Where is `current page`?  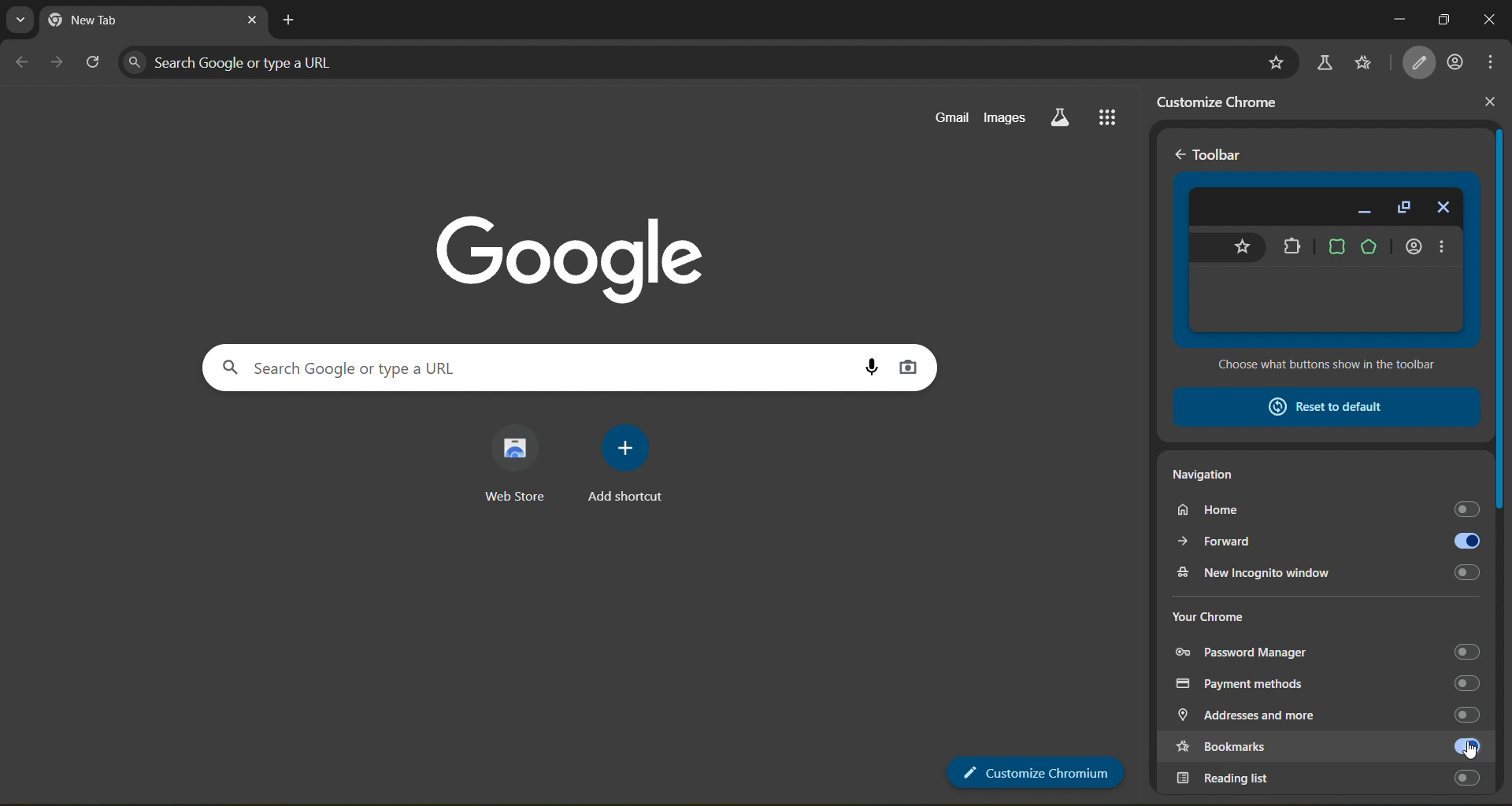 current page is located at coordinates (136, 20).